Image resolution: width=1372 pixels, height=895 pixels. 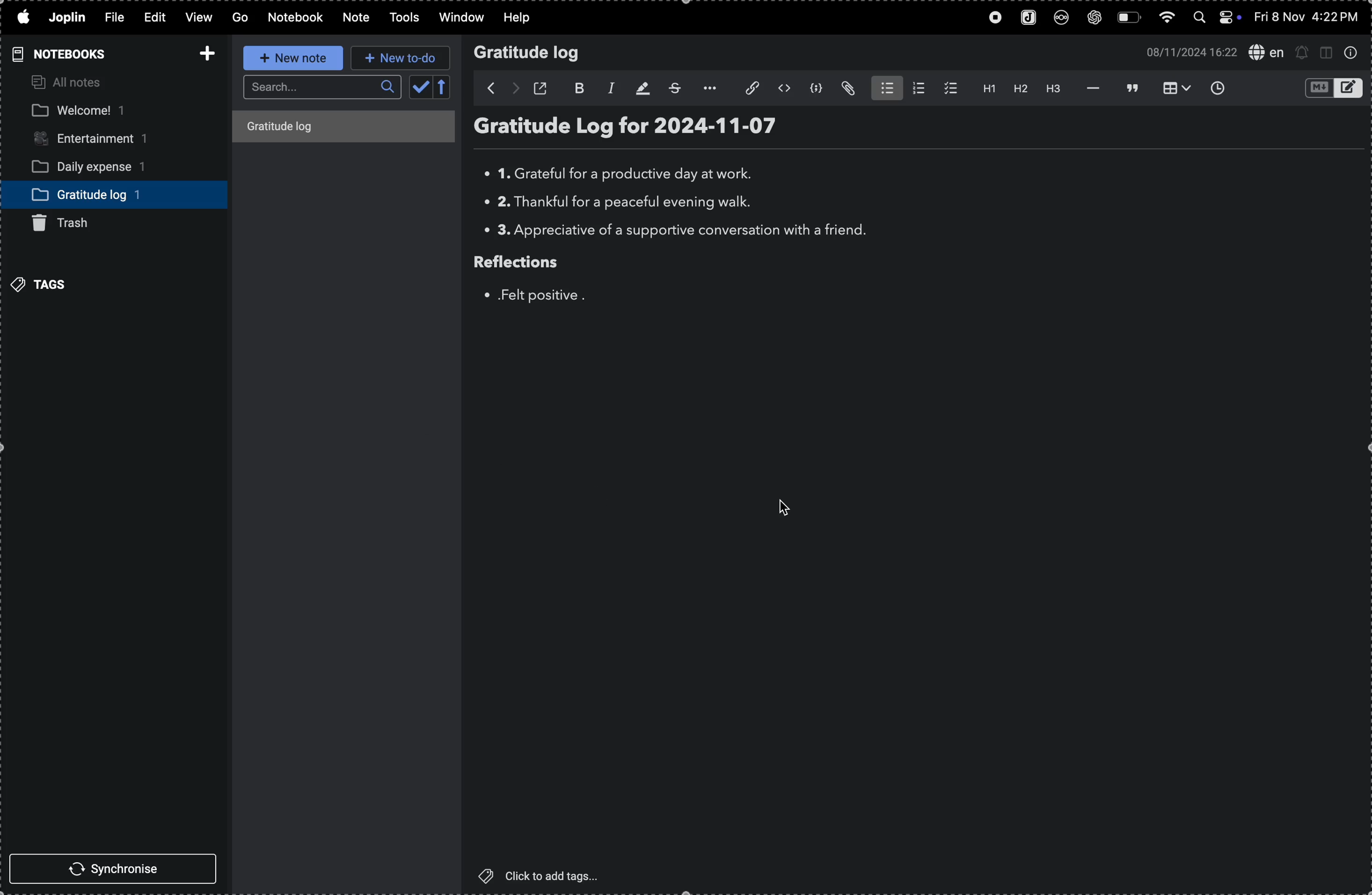 I want to click on record, so click(x=996, y=17).